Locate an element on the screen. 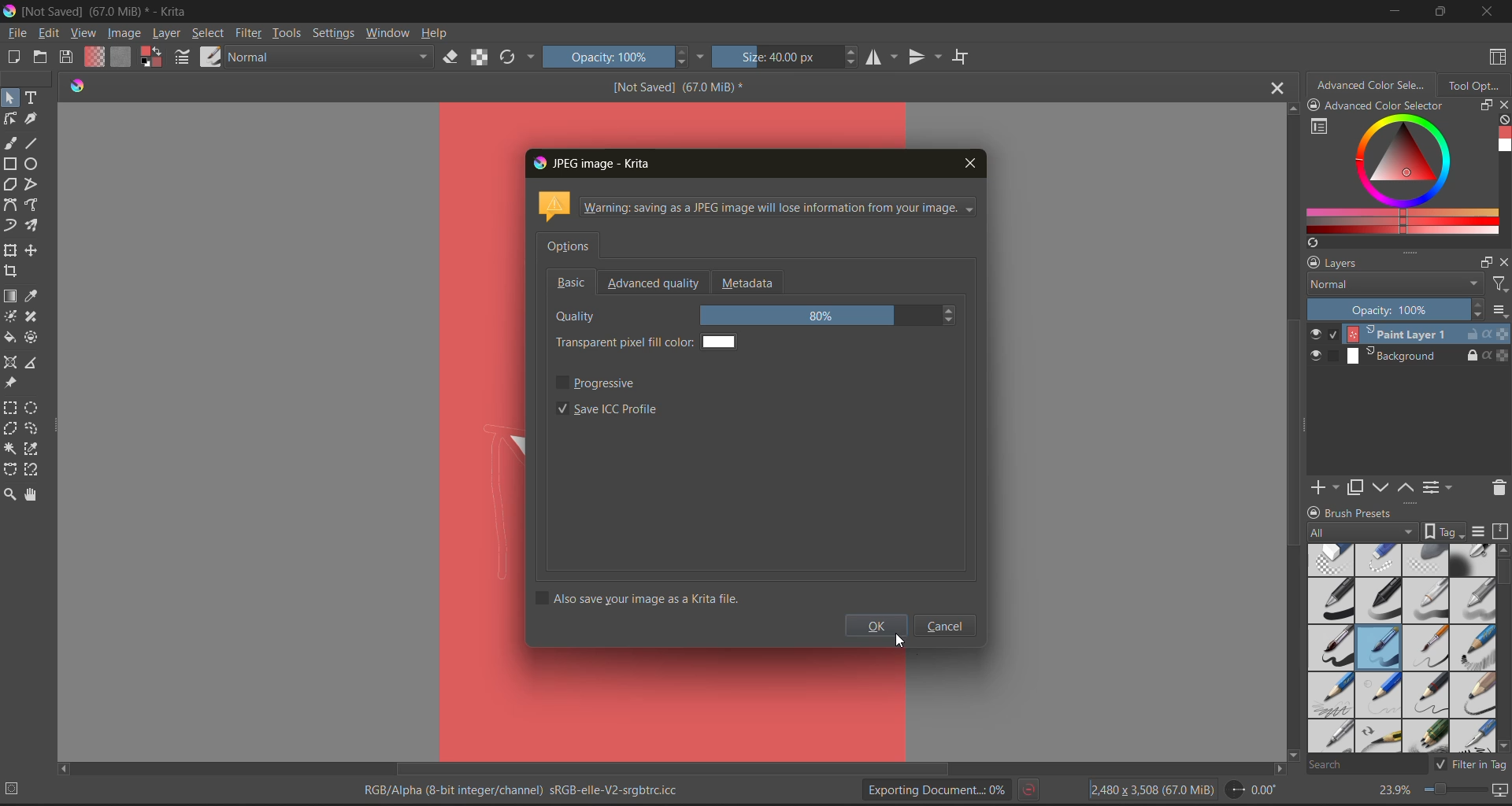  tools is located at coordinates (13, 384).